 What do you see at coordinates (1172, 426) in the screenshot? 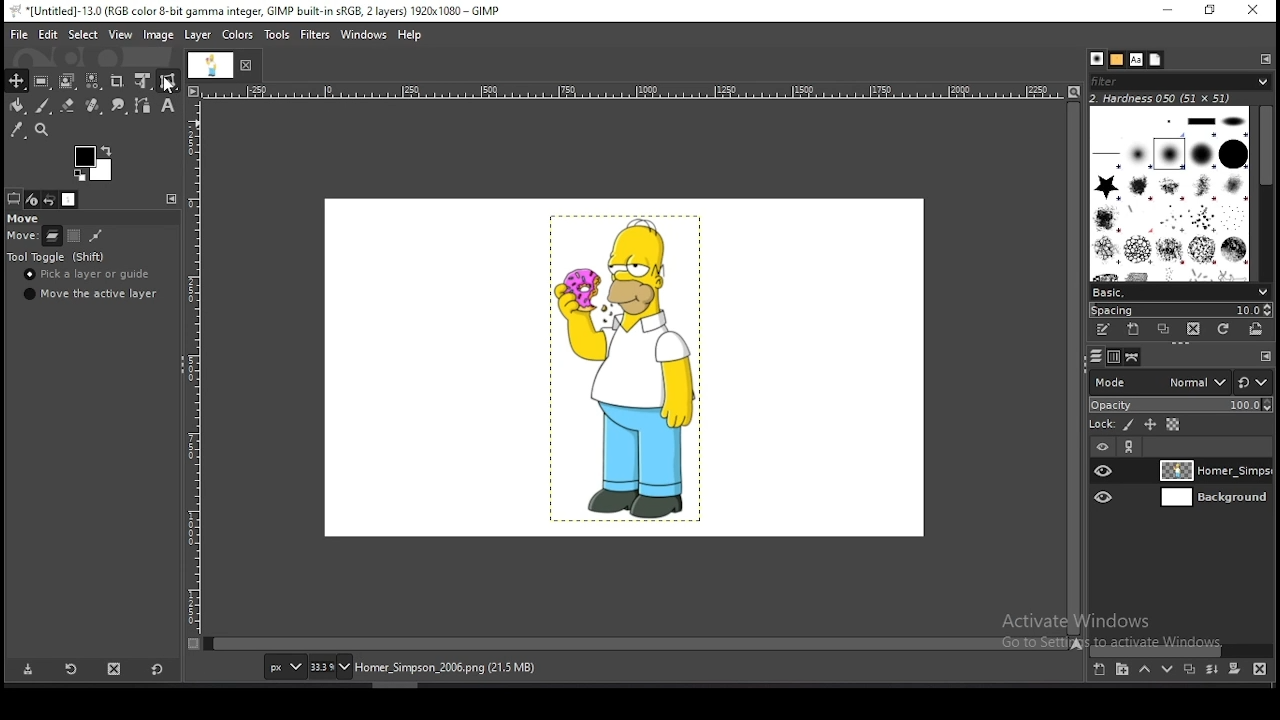
I see `lock alpha channel` at bounding box center [1172, 426].